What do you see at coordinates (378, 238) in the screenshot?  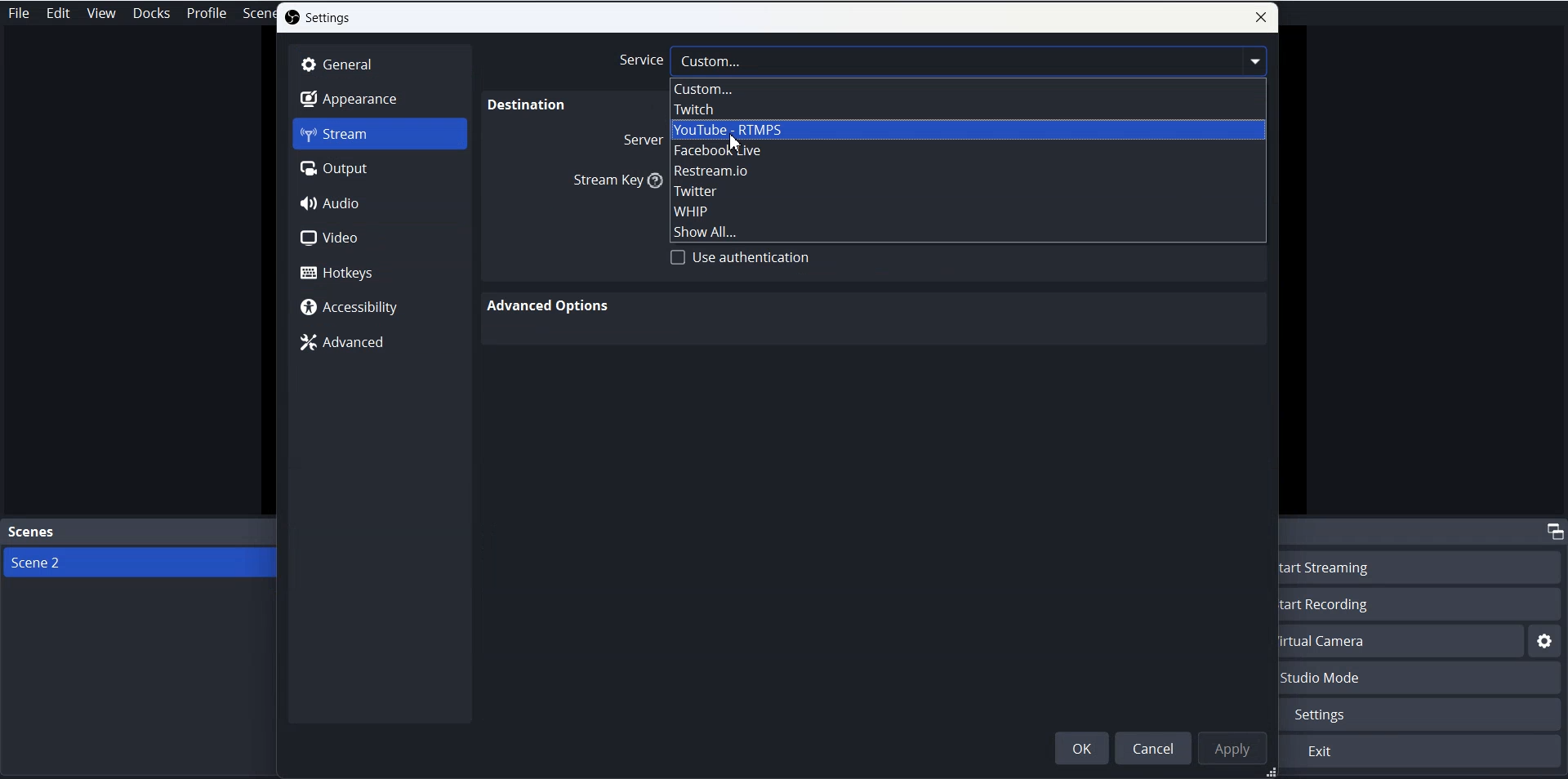 I see `Video` at bounding box center [378, 238].